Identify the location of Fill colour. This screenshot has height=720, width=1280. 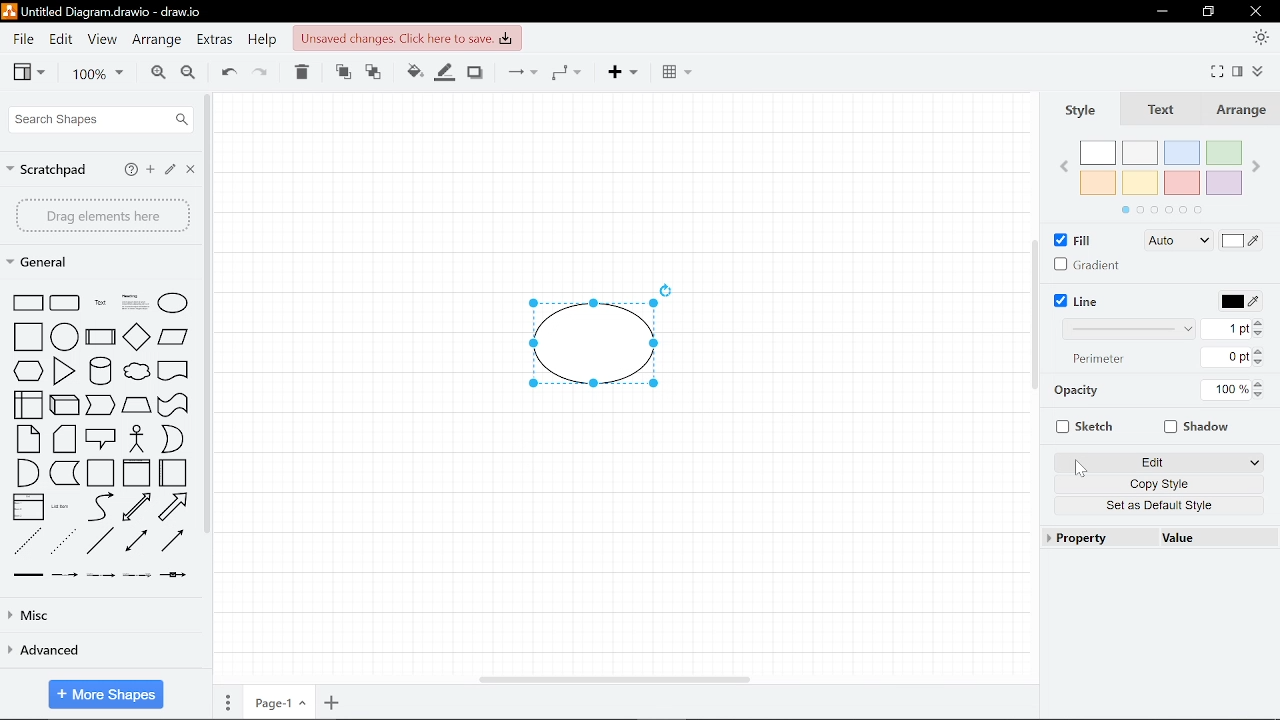
(412, 73).